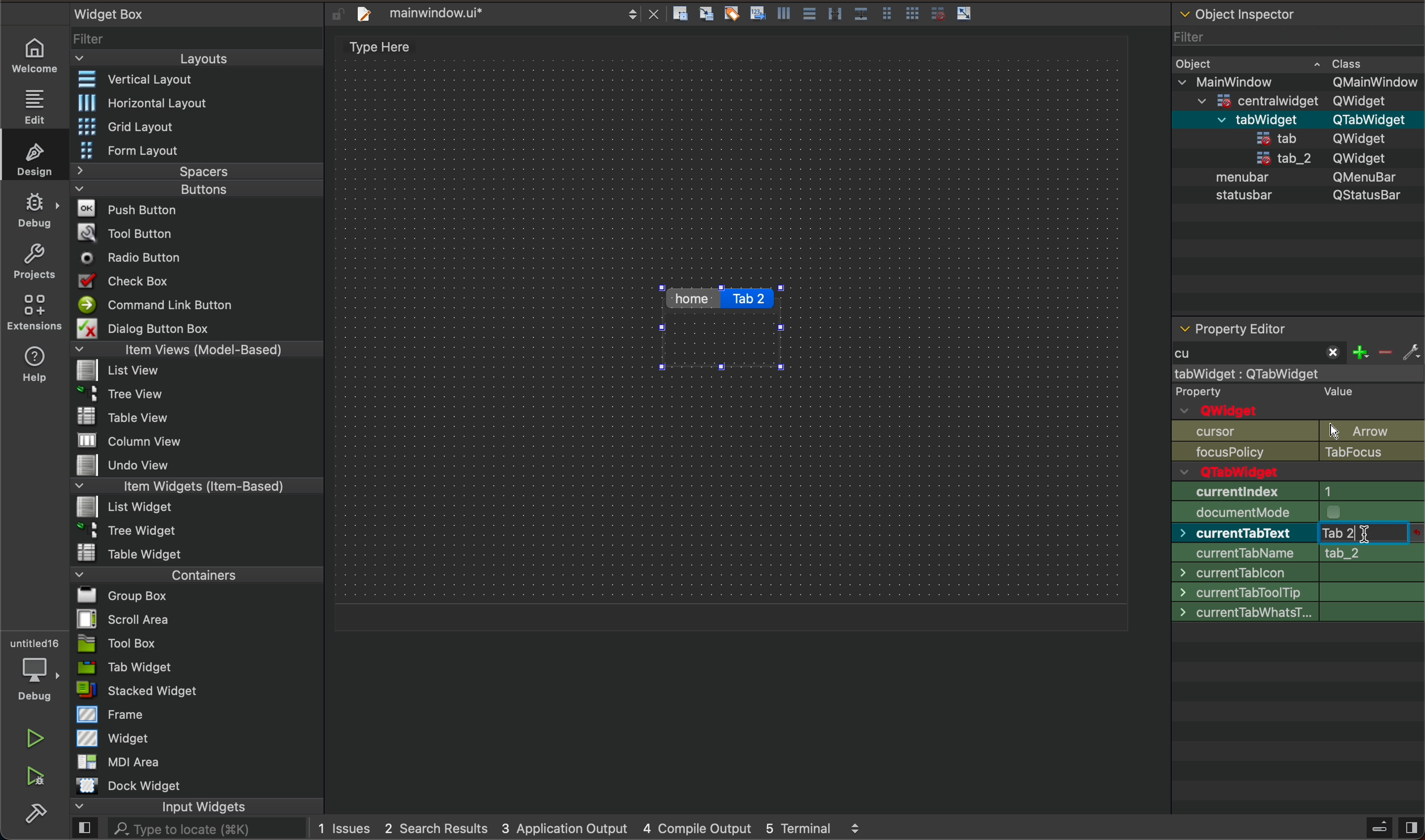 This screenshot has height=840, width=1425. What do you see at coordinates (125, 235) in the screenshot?
I see `Tool Button` at bounding box center [125, 235].